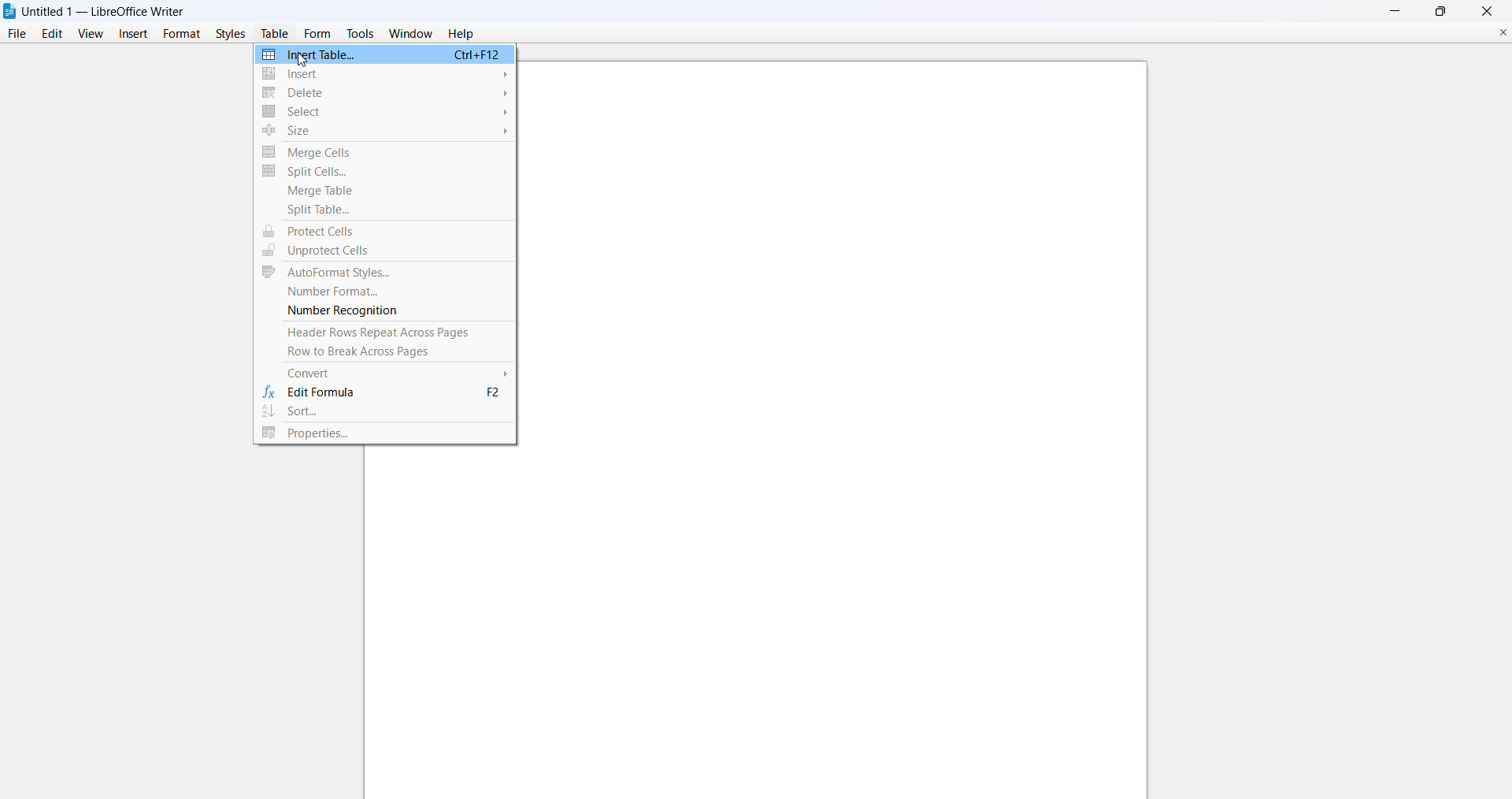 Image resolution: width=1512 pixels, height=799 pixels. I want to click on file, so click(15, 34).